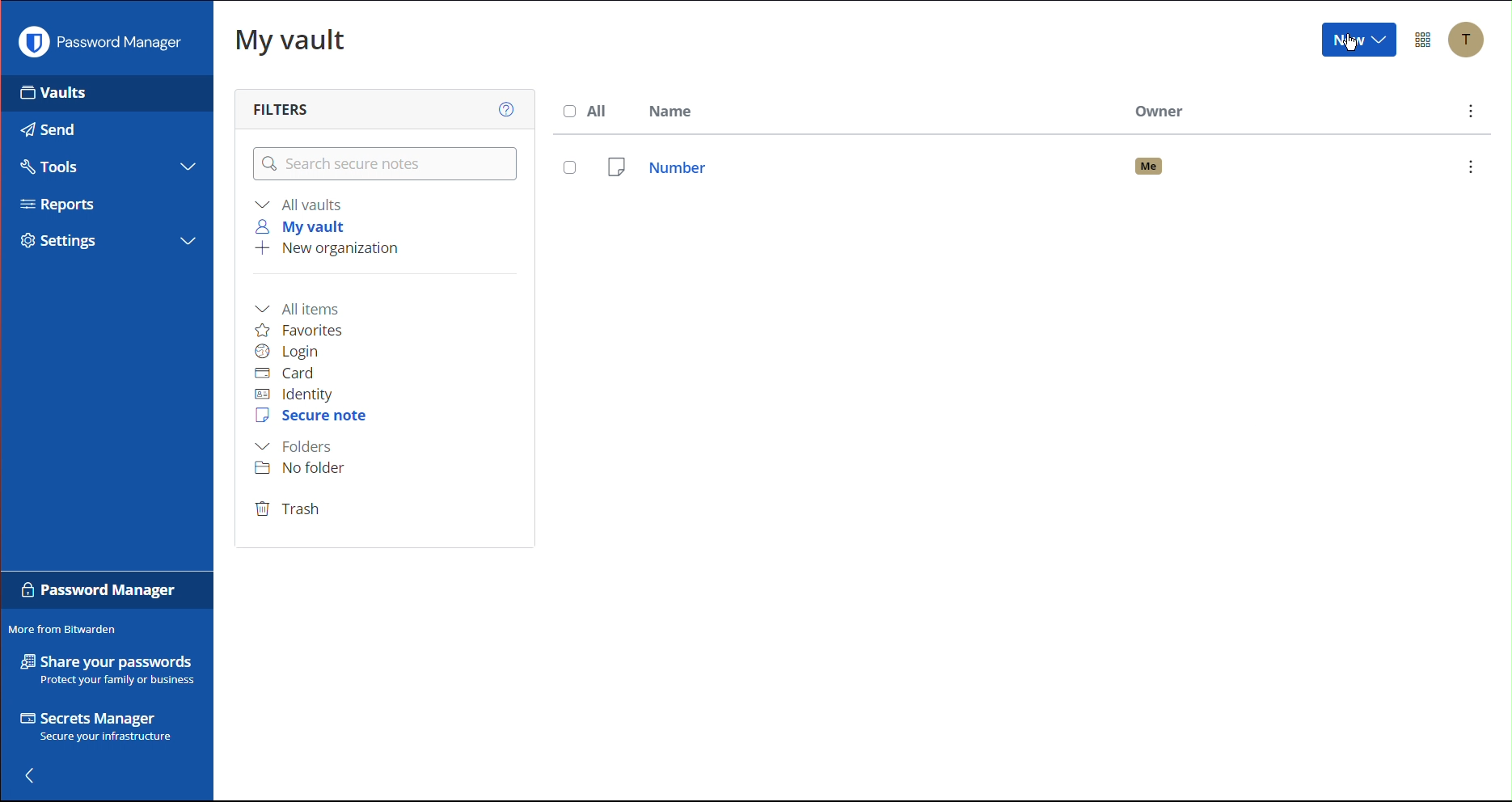 Image resolution: width=1512 pixels, height=802 pixels. Describe the element at coordinates (305, 467) in the screenshot. I see `No folder` at that location.